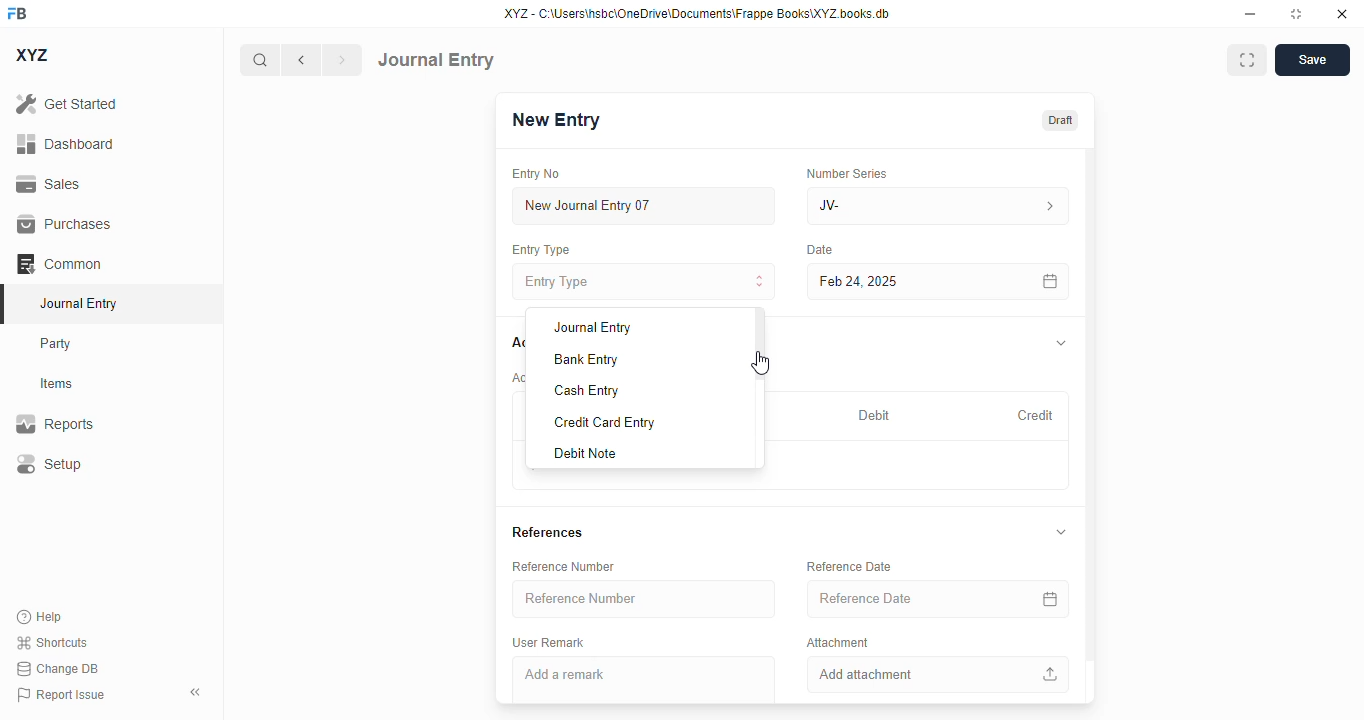 The image size is (1364, 720). What do you see at coordinates (48, 184) in the screenshot?
I see `sales` at bounding box center [48, 184].